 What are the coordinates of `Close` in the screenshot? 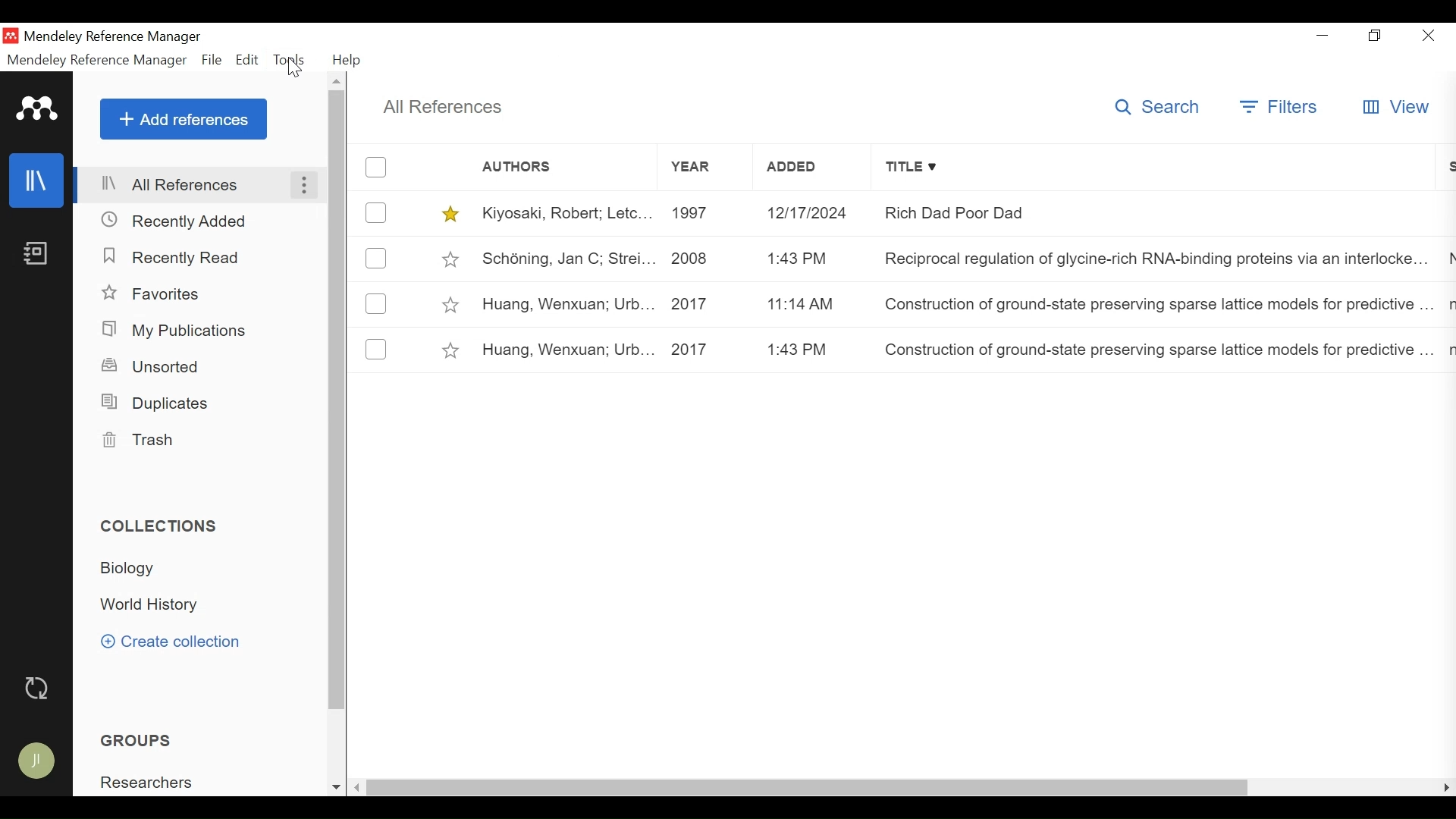 It's located at (1429, 36).